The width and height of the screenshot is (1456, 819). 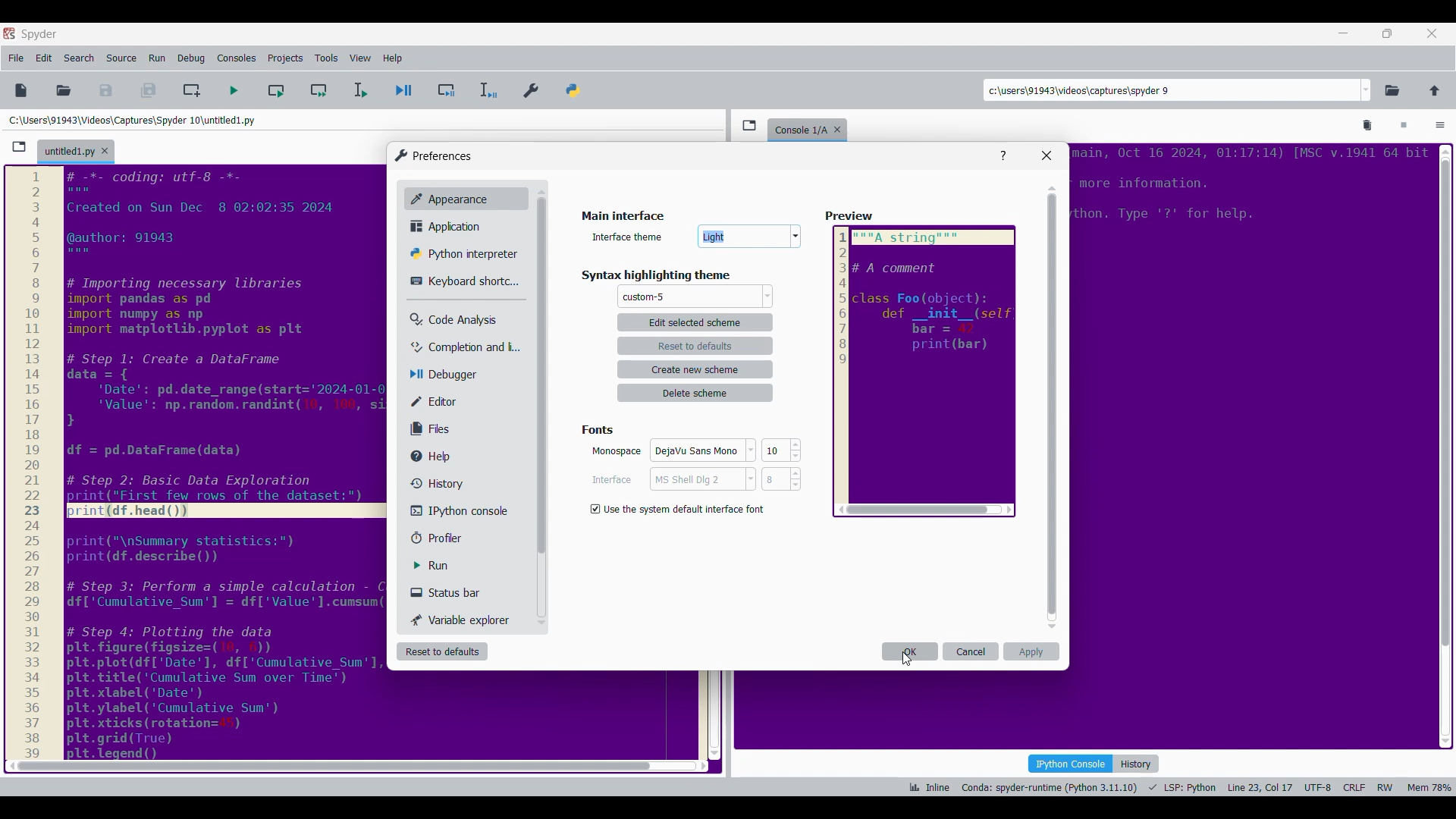 I want to click on scroll bar, so click(x=329, y=766).